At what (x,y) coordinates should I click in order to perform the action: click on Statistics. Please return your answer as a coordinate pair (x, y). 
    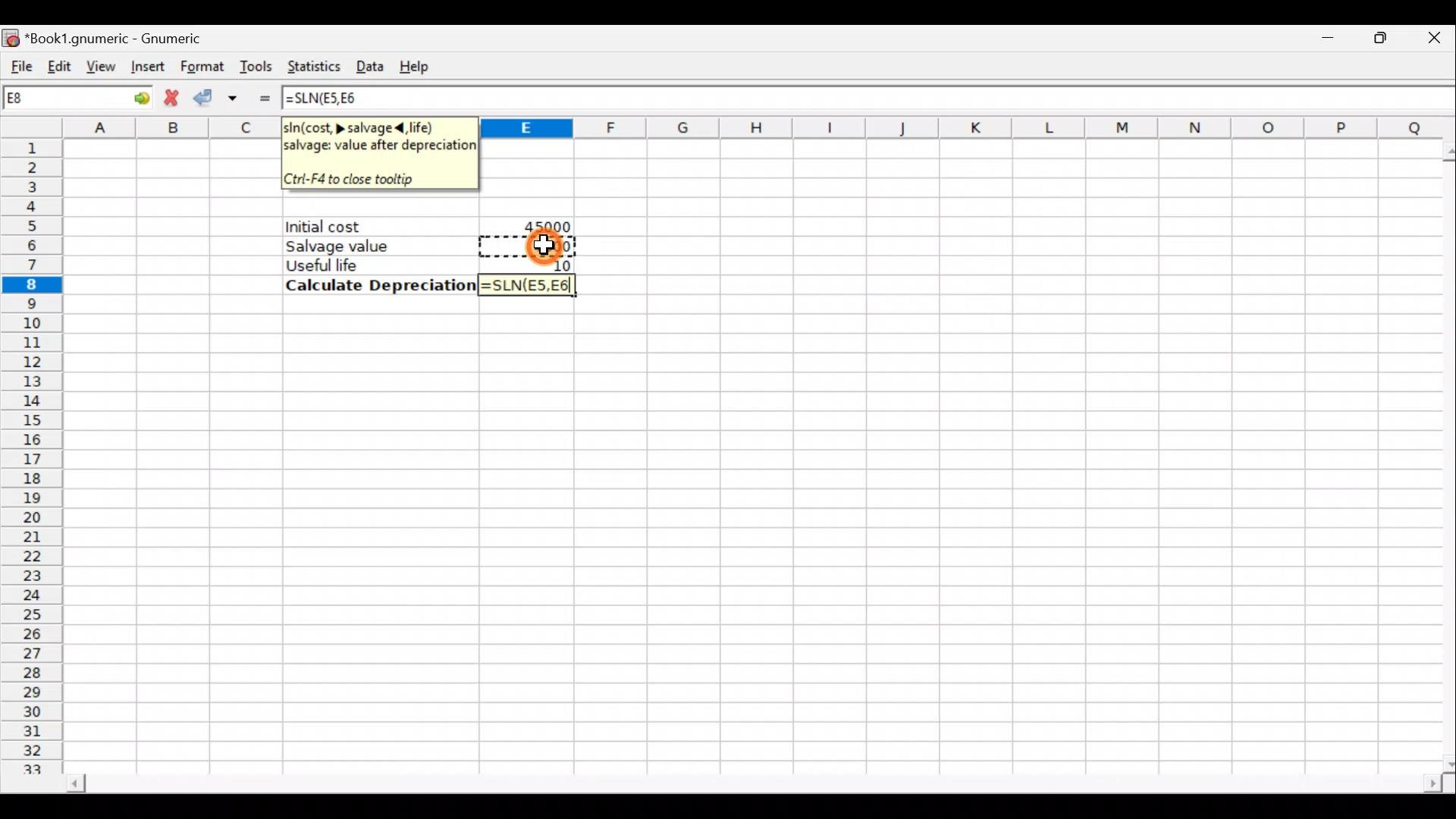
    Looking at the image, I should click on (314, 63).